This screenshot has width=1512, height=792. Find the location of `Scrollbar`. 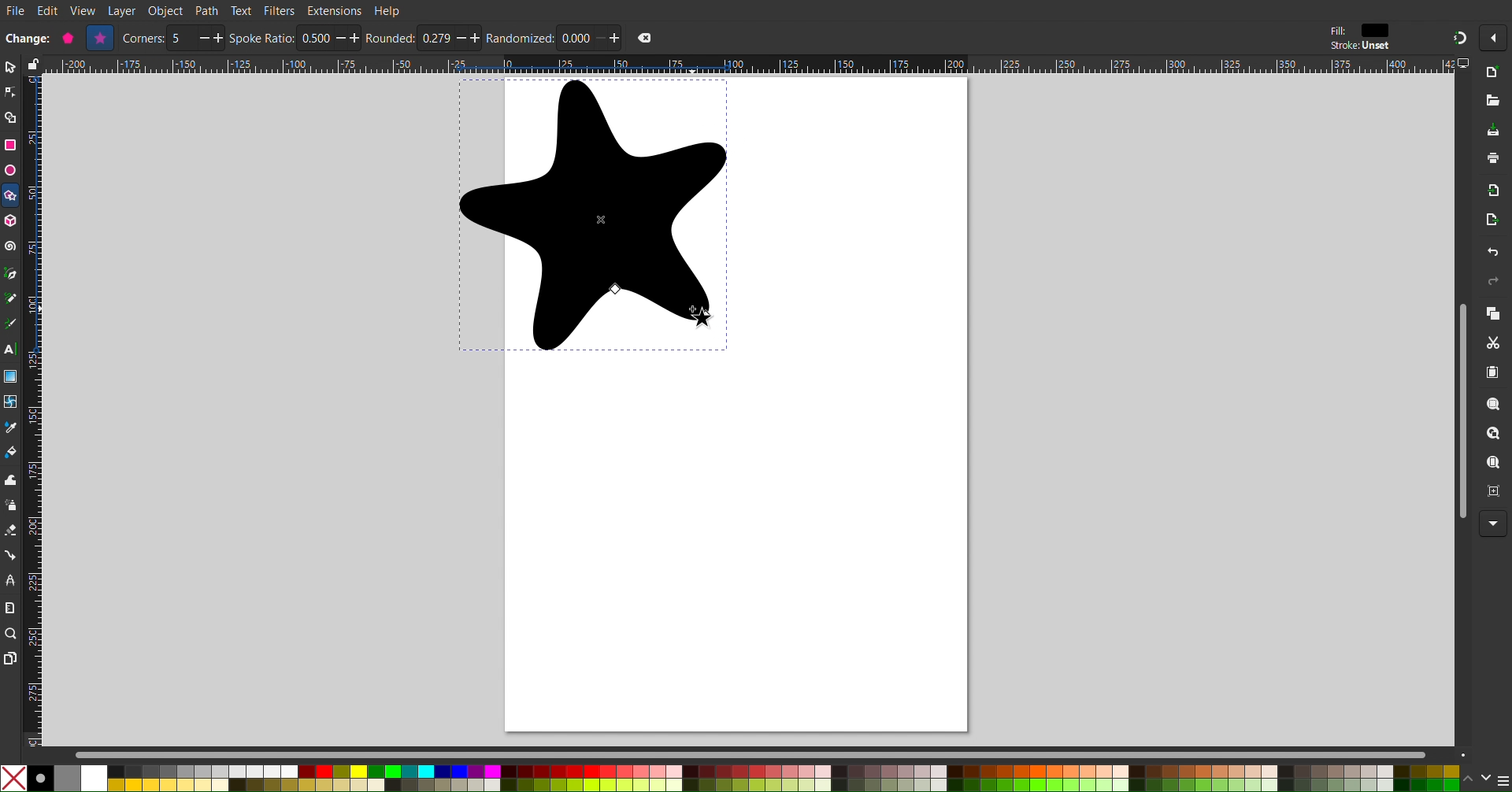

Scrollbar is located at coordinates (773, 754).